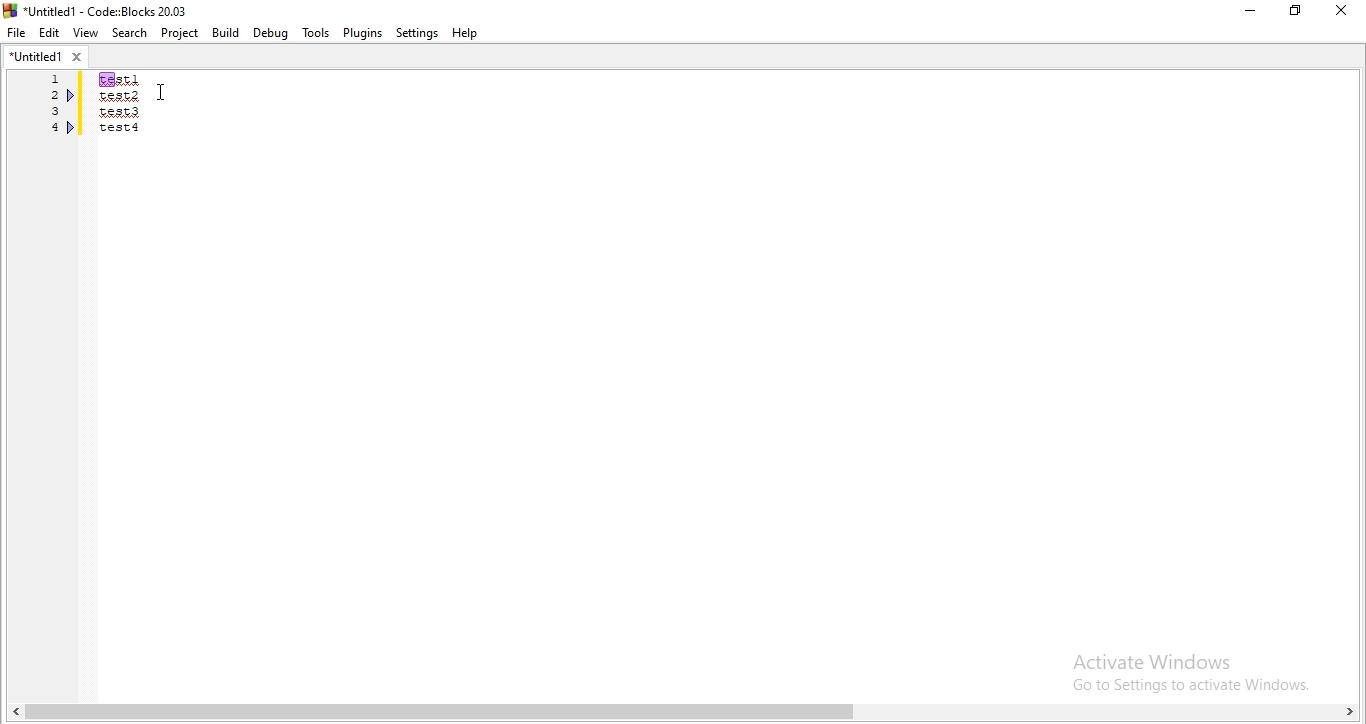 The height and width of the screenshot is (724, 1366). Describe the element at coordinates (85, 30) in the screenshot. I see `View ` at that location.